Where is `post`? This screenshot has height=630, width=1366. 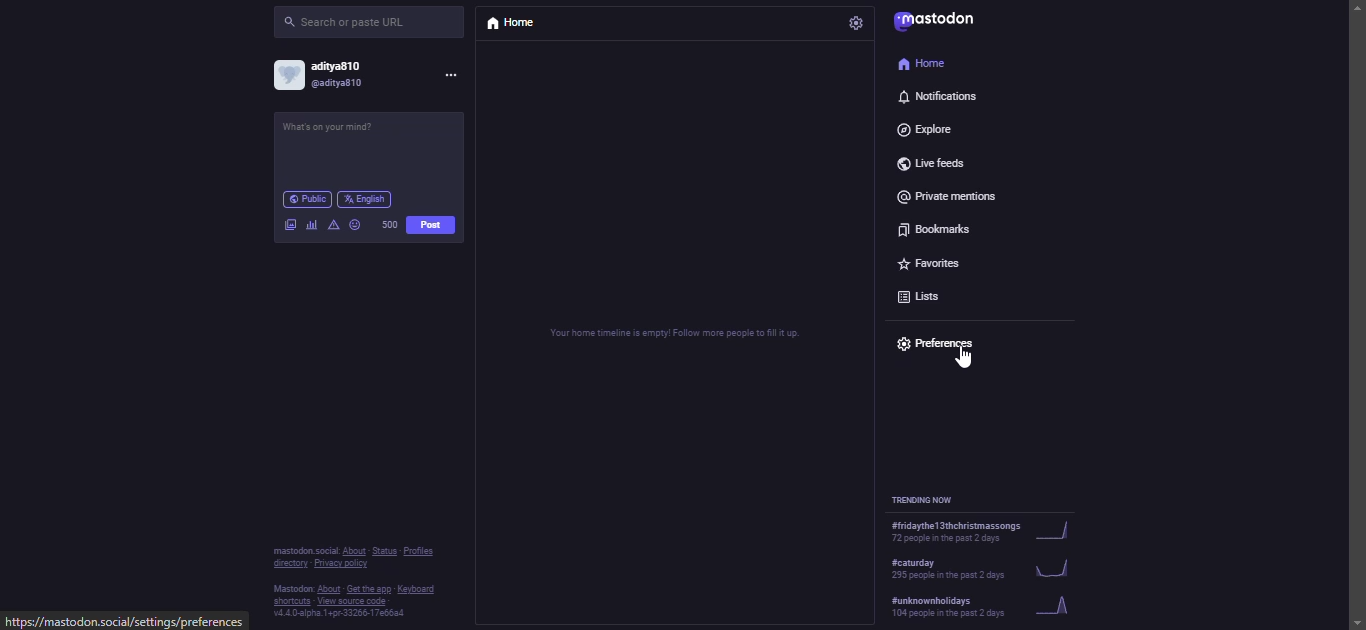 post is located at coordinates (344, 132).